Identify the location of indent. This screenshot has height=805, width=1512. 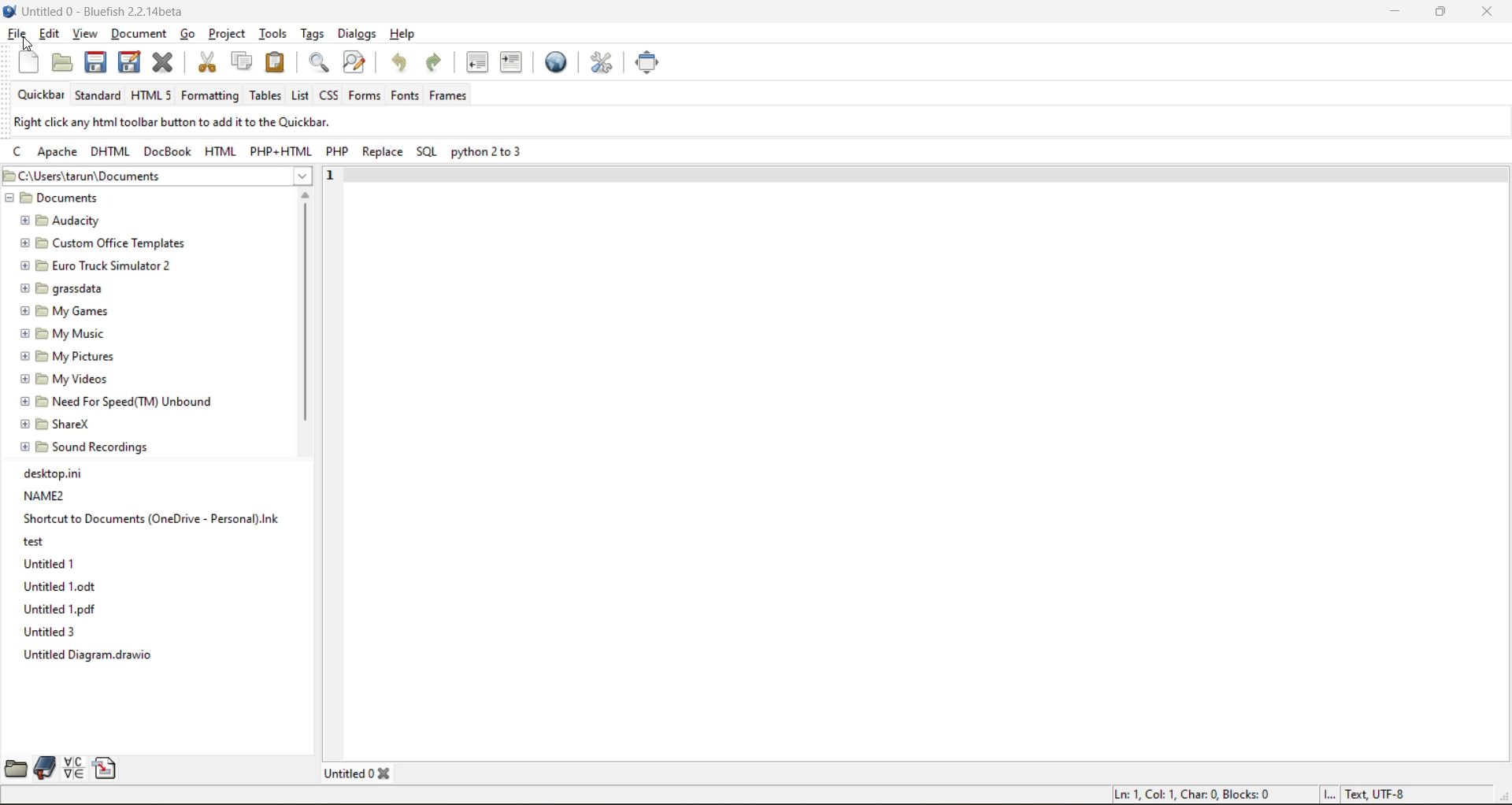
(511, 62).